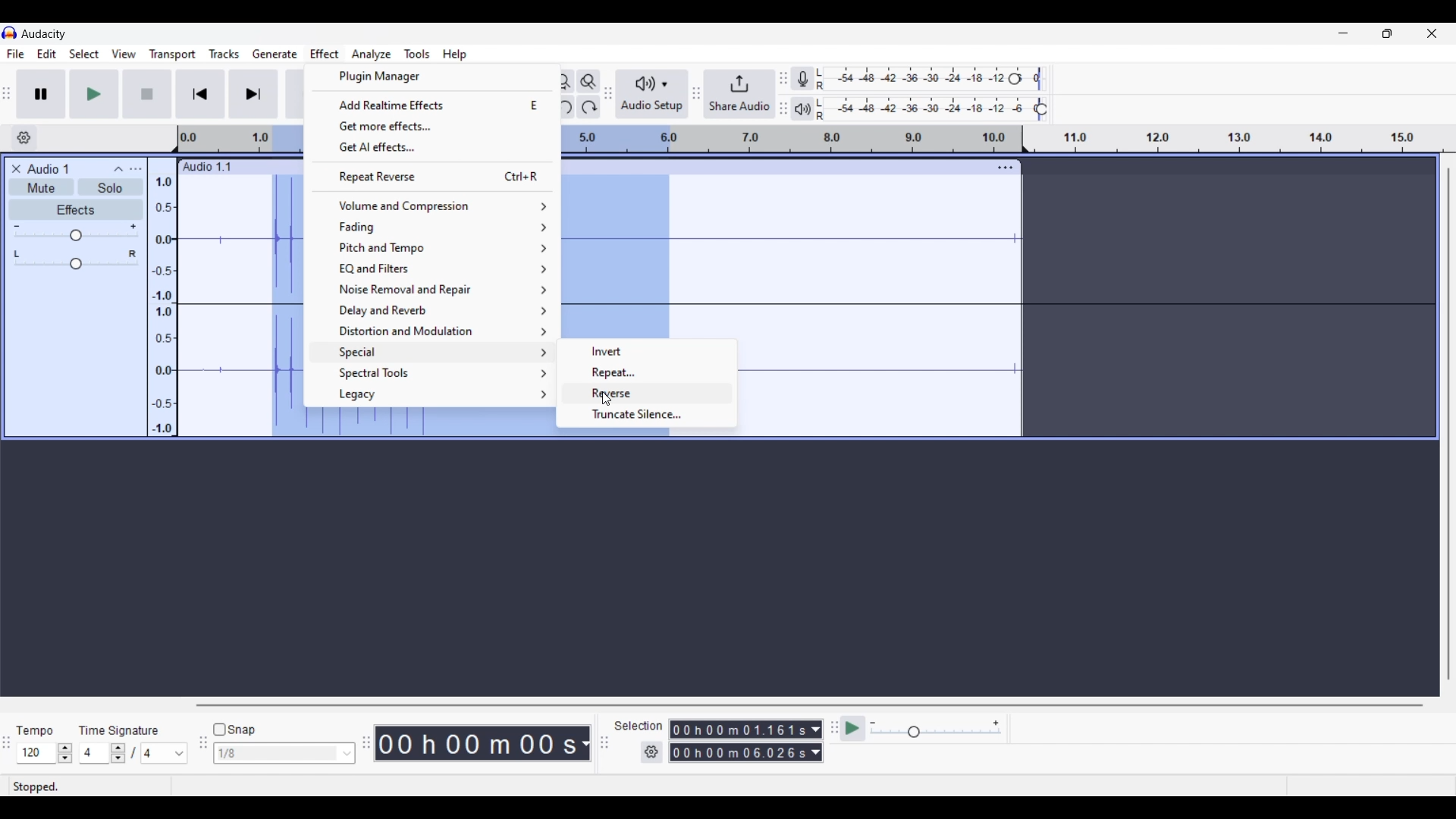 This screenshot has height=819, width=1456. Describe the element at coordinates (240, 140) in the screenshot. I see `Scale` at that location.